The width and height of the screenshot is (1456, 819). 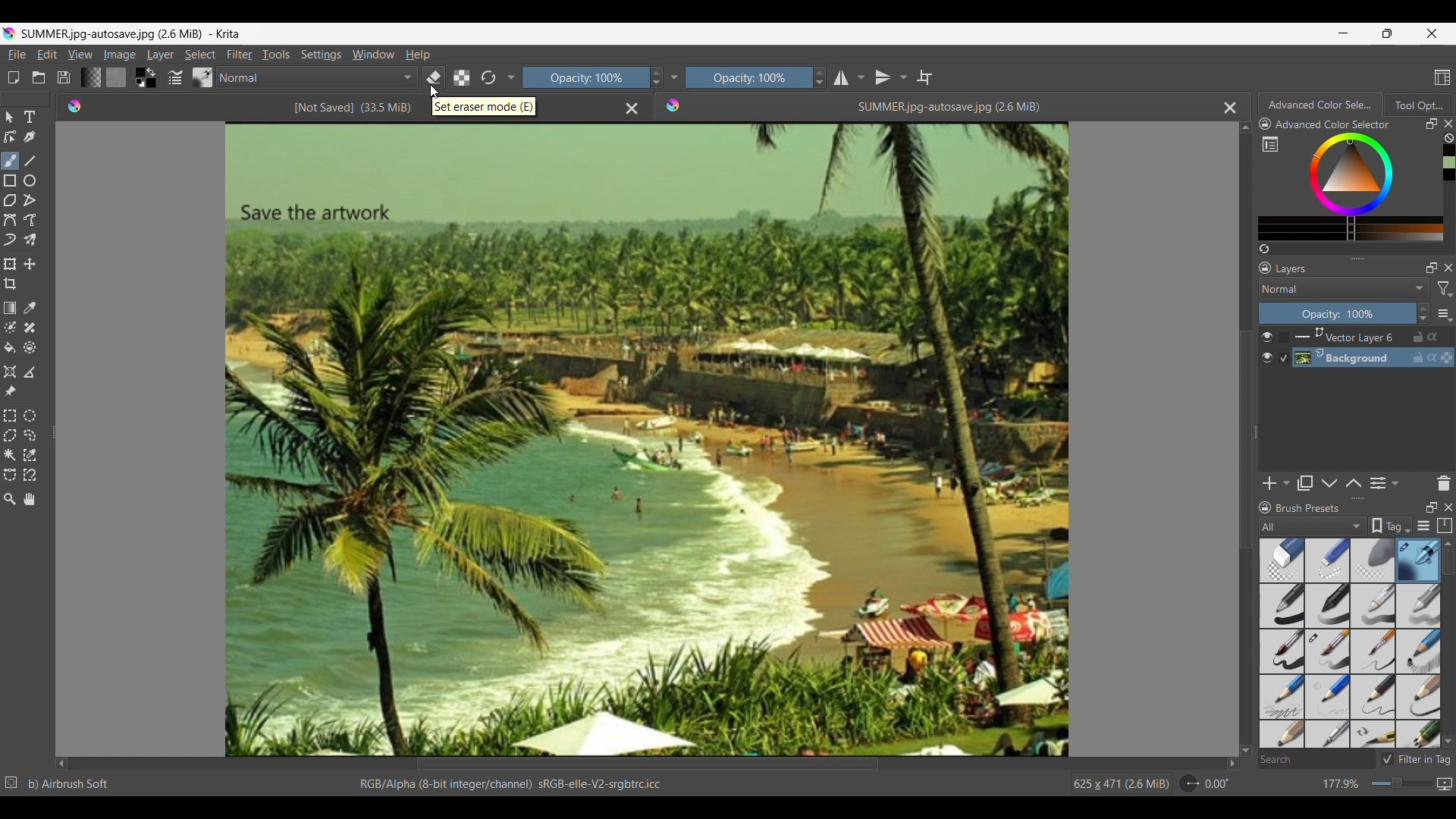 I want to click on Tools, so click(x=276, y=55).